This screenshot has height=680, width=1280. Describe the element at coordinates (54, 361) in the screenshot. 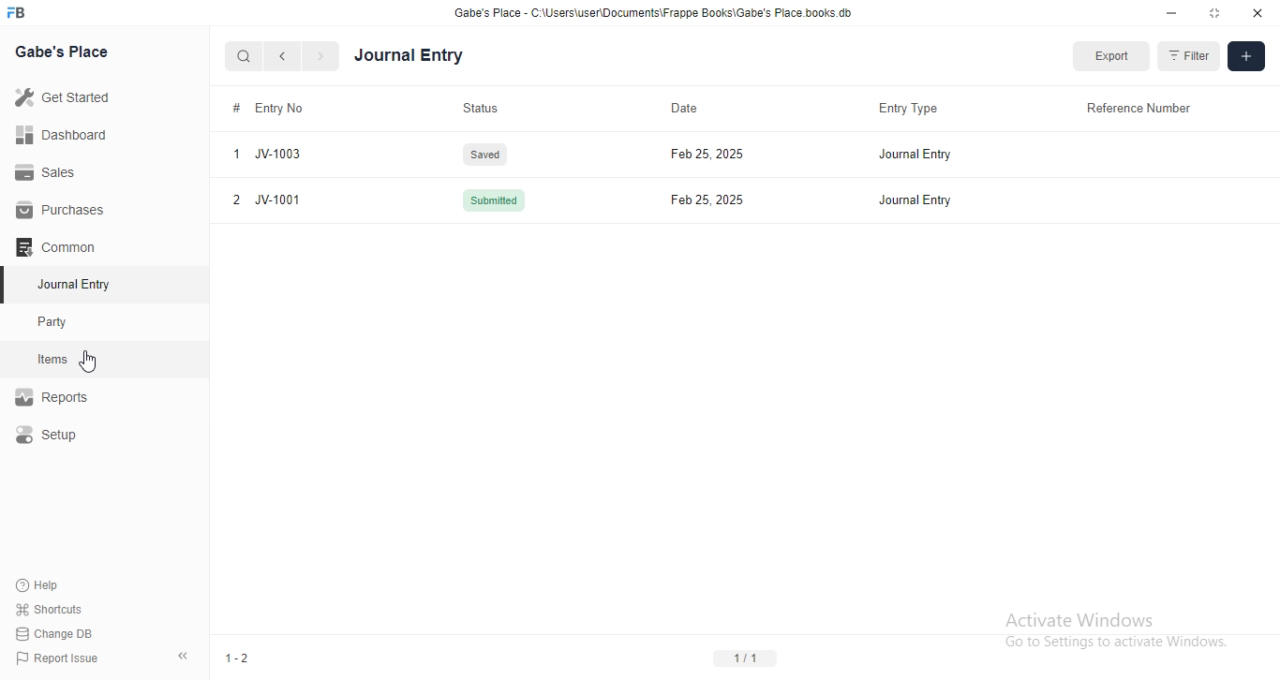

I see `items` at that location.